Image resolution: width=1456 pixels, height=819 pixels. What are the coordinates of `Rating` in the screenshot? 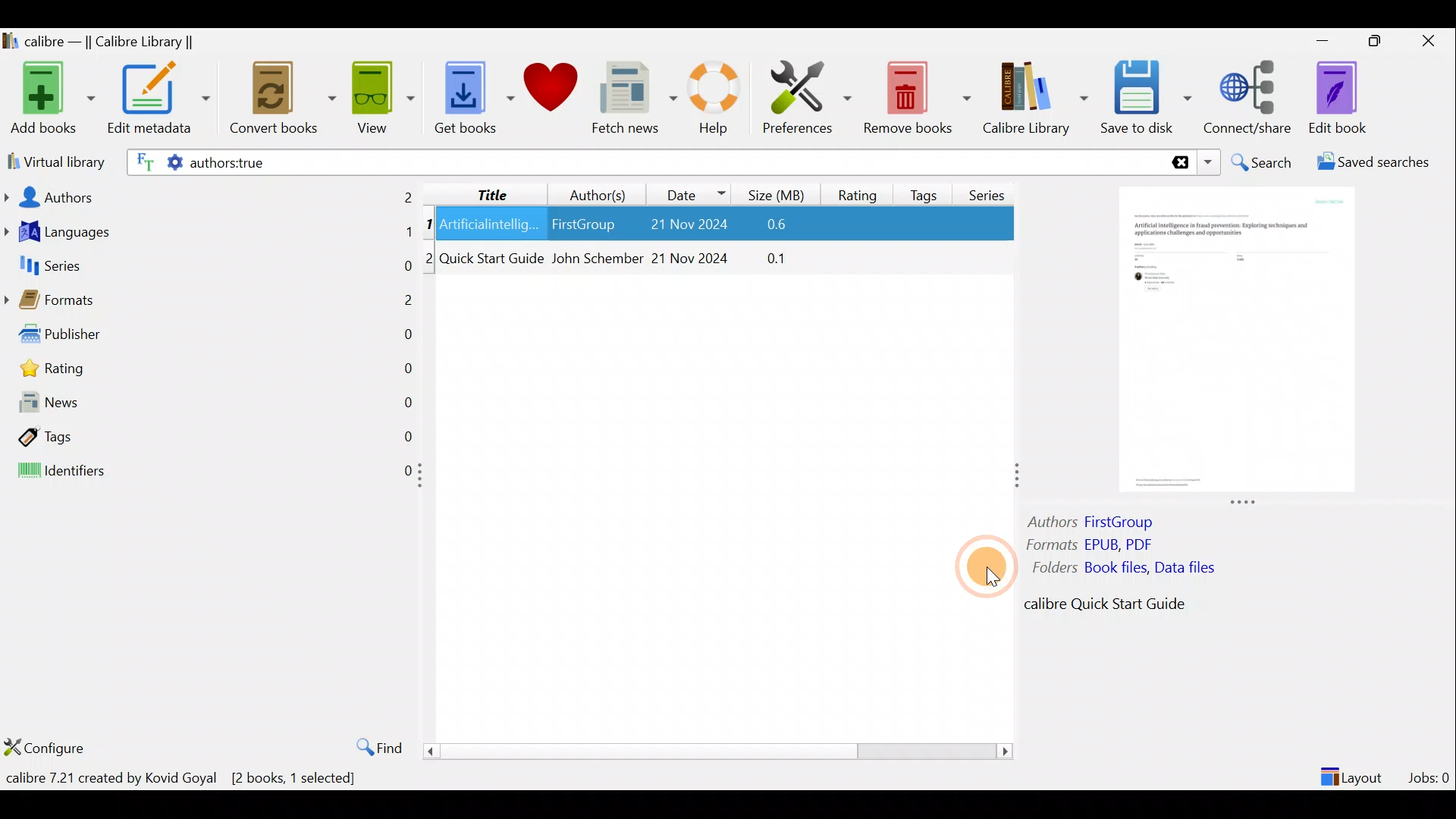 It's located at (858, 193).